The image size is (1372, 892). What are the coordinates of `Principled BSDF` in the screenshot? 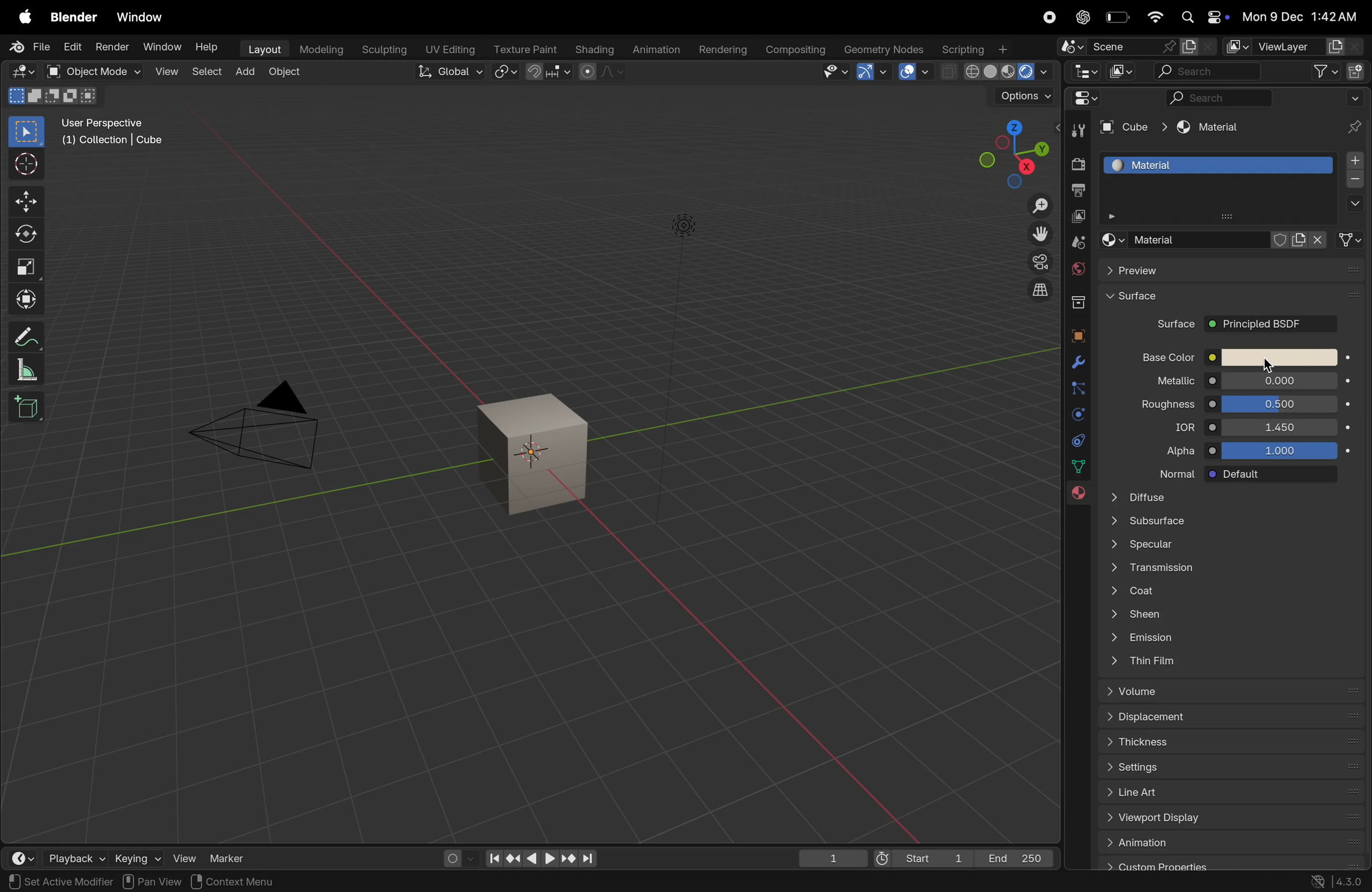 It's located at (1270, 325).